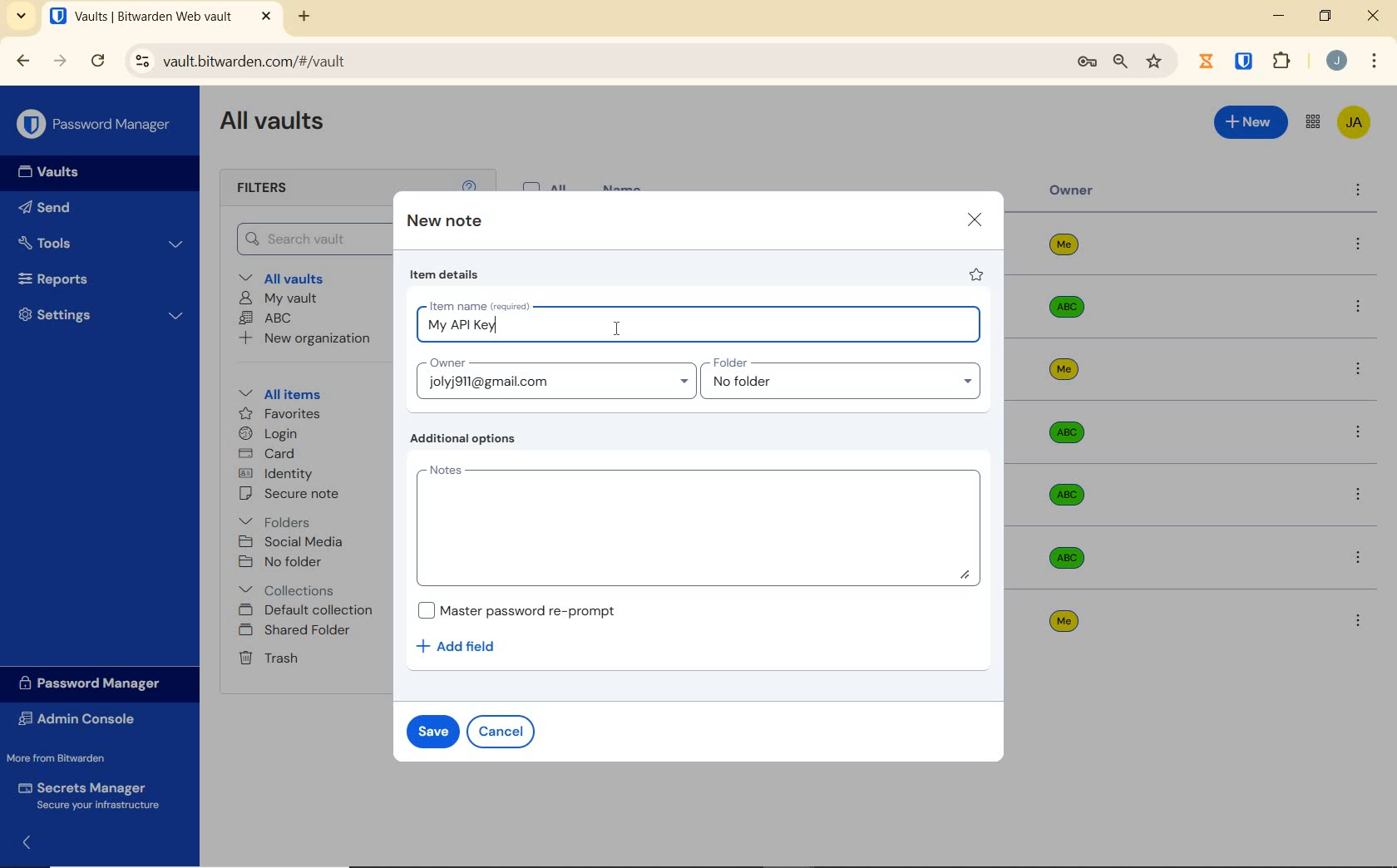 This screenshot has width=1397, height=868. I want to click on Search Vault, so click(311, 238).